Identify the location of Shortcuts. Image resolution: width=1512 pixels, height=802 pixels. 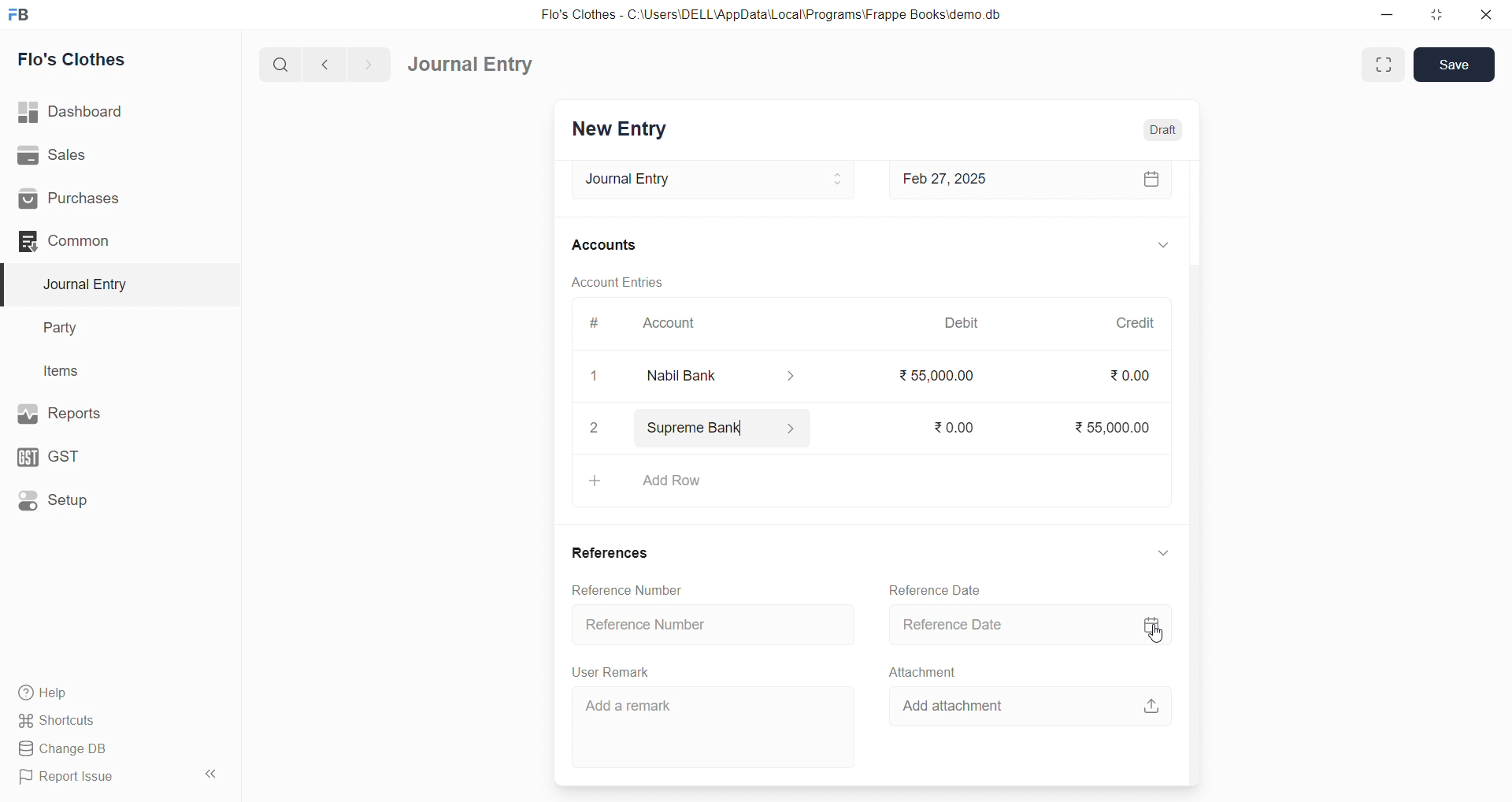
(95, 722).